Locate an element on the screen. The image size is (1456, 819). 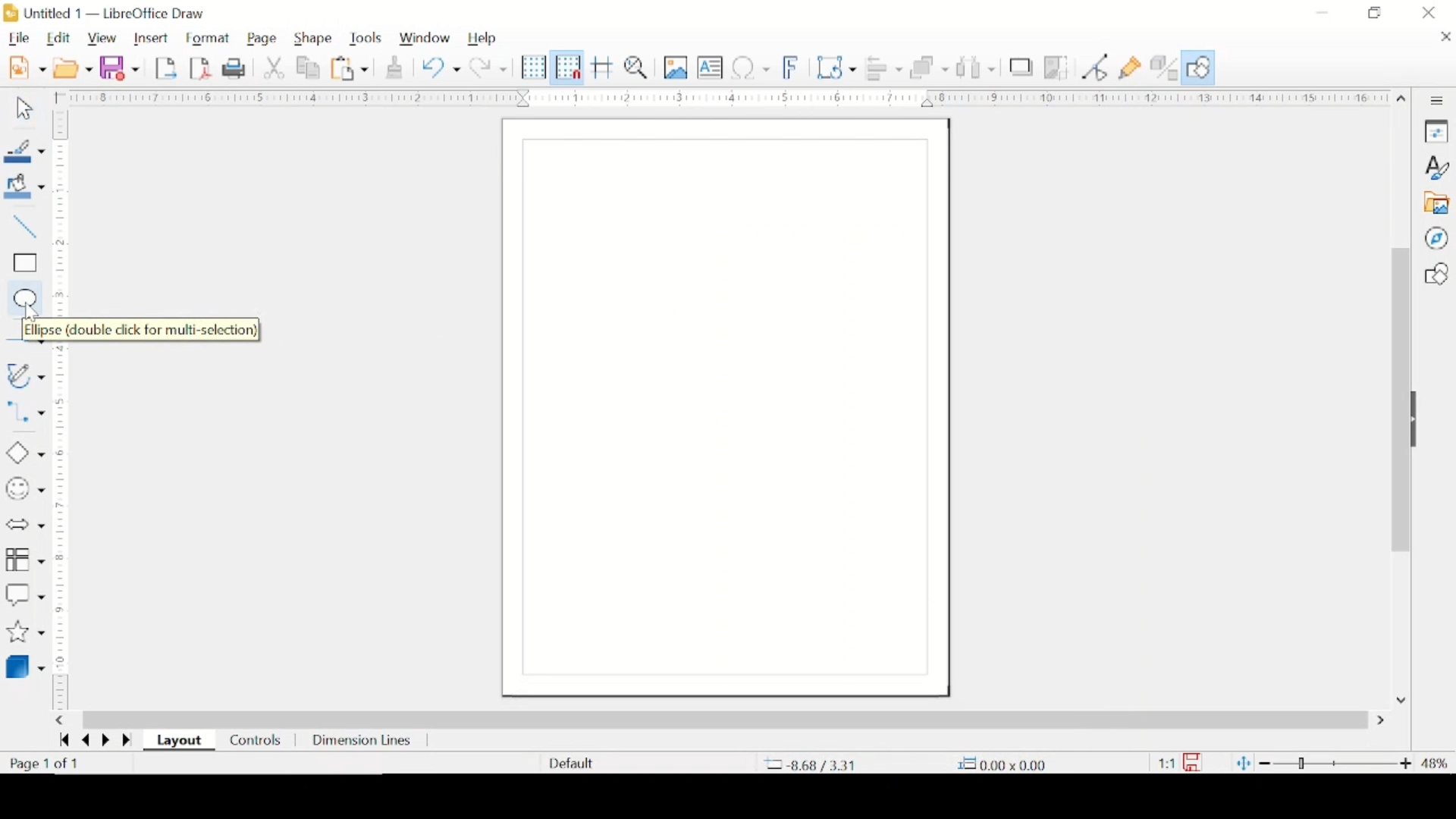
close is located at coordinates (1430, 12).